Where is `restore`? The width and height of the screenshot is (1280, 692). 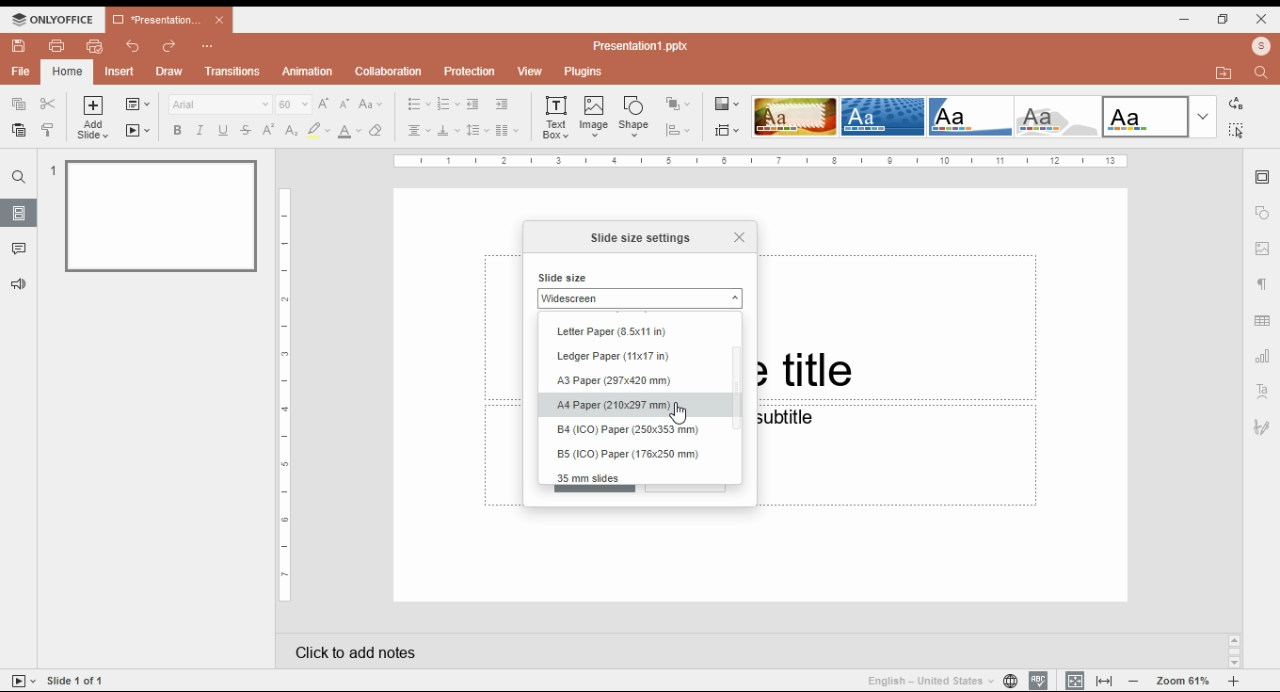
restore is located at coordinates (1223, 19).